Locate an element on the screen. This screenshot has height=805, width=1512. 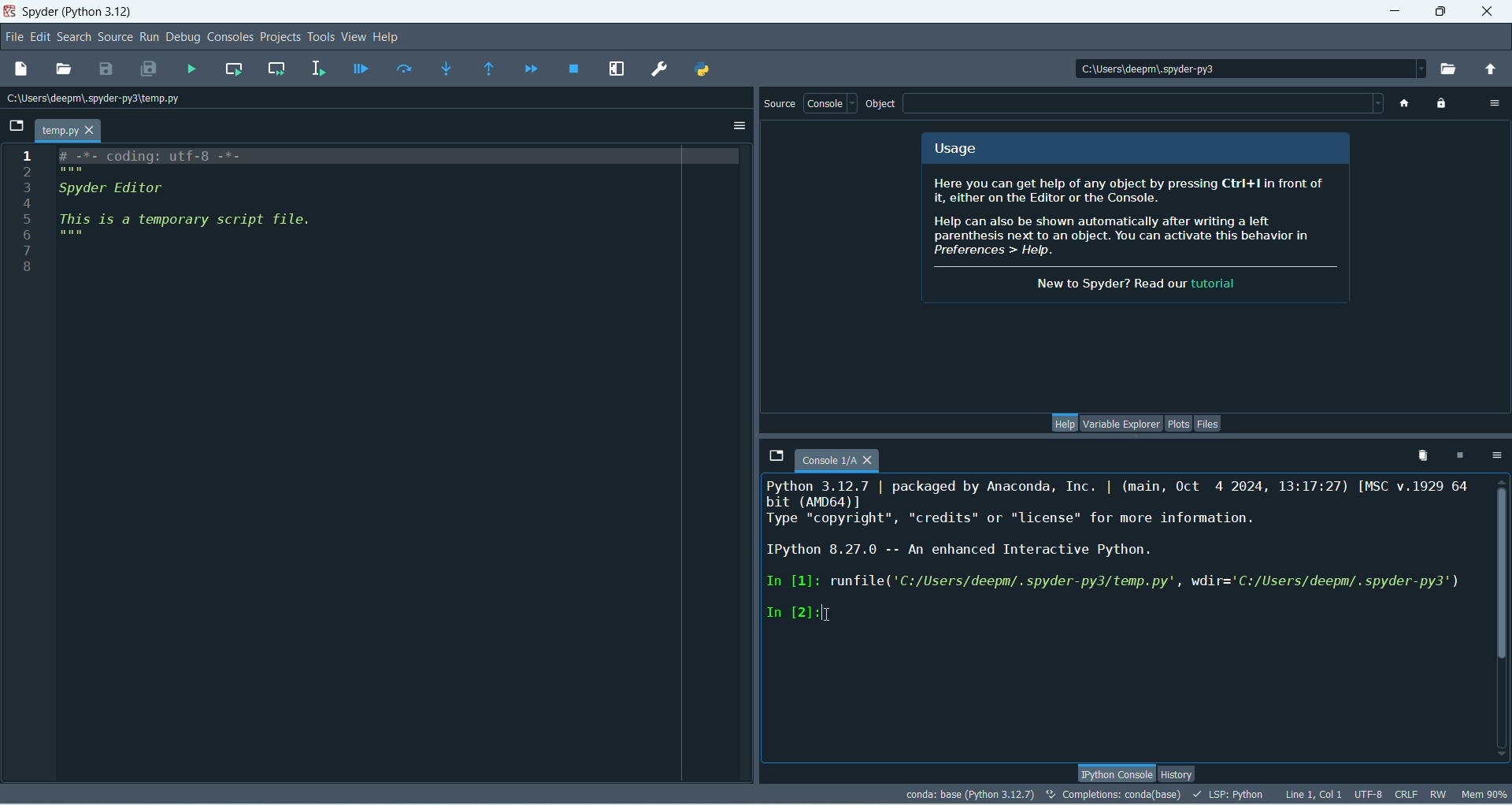
projects is located at coordinates (278, 39).